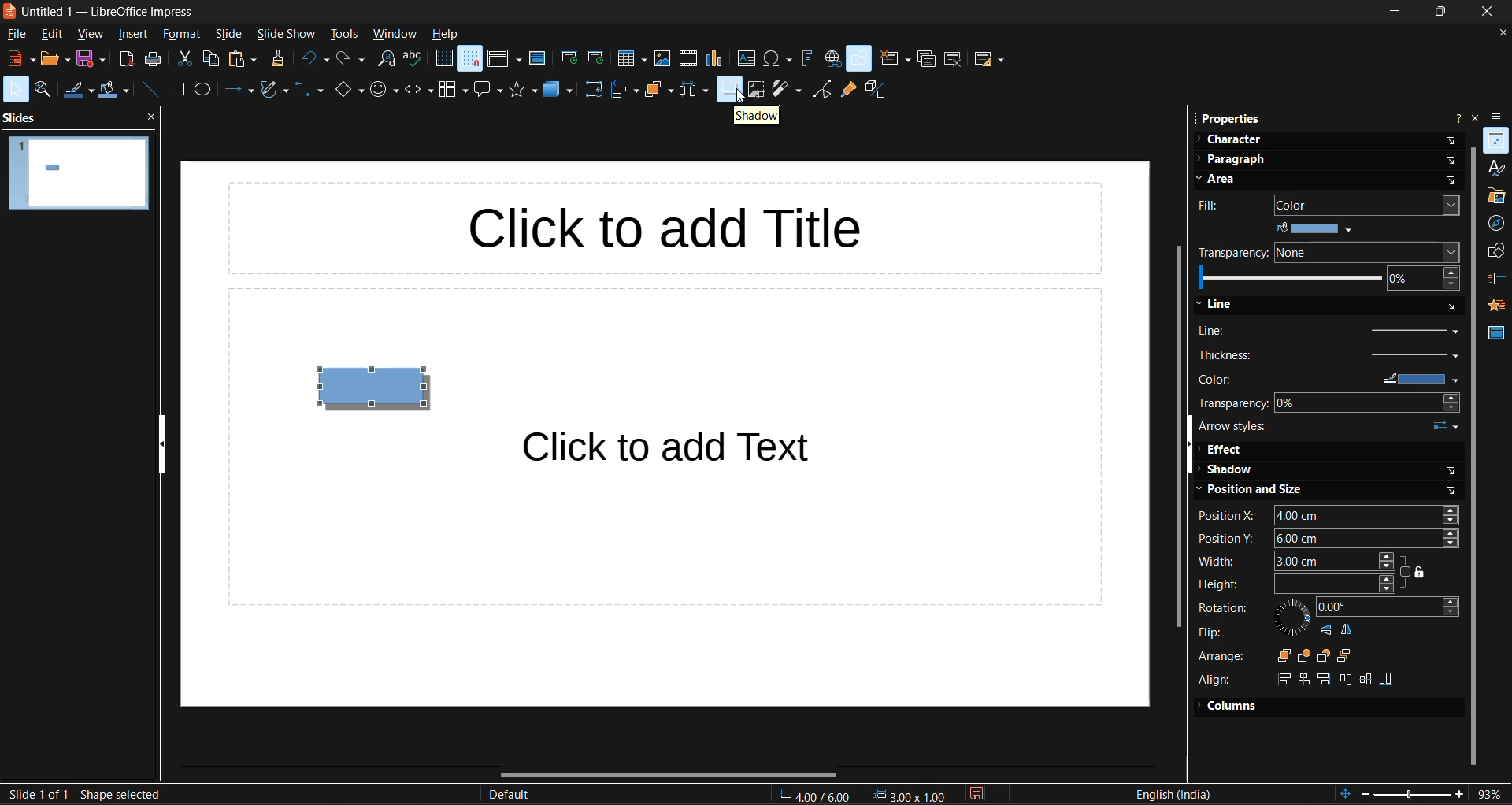 This screenshot has width=1512, height=805. I want to click on 93%, so click(1494, 793).